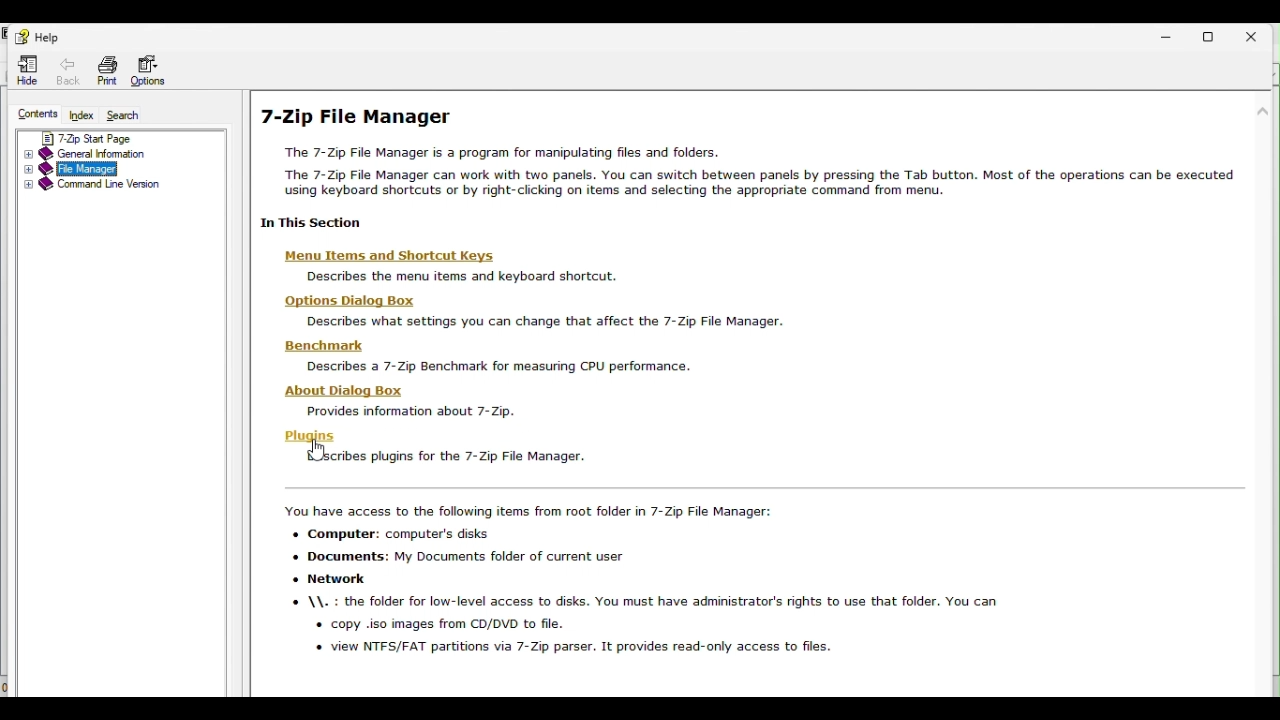  I want to click on search, so click(131, 117).